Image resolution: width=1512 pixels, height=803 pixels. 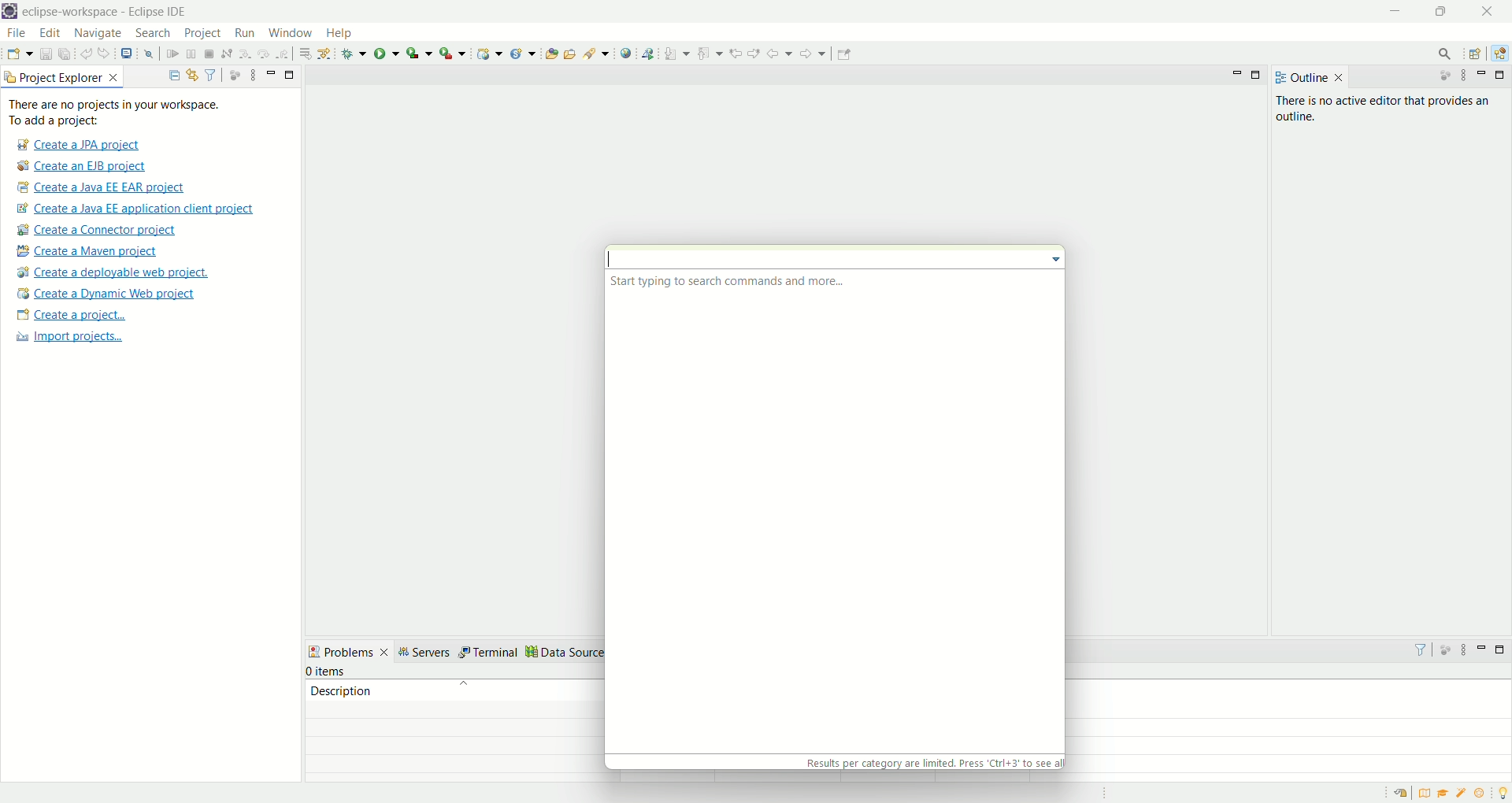 What do you see at coordinates (289, 31) in the screenshot?
I see `window` at bounding box center [289, 31].